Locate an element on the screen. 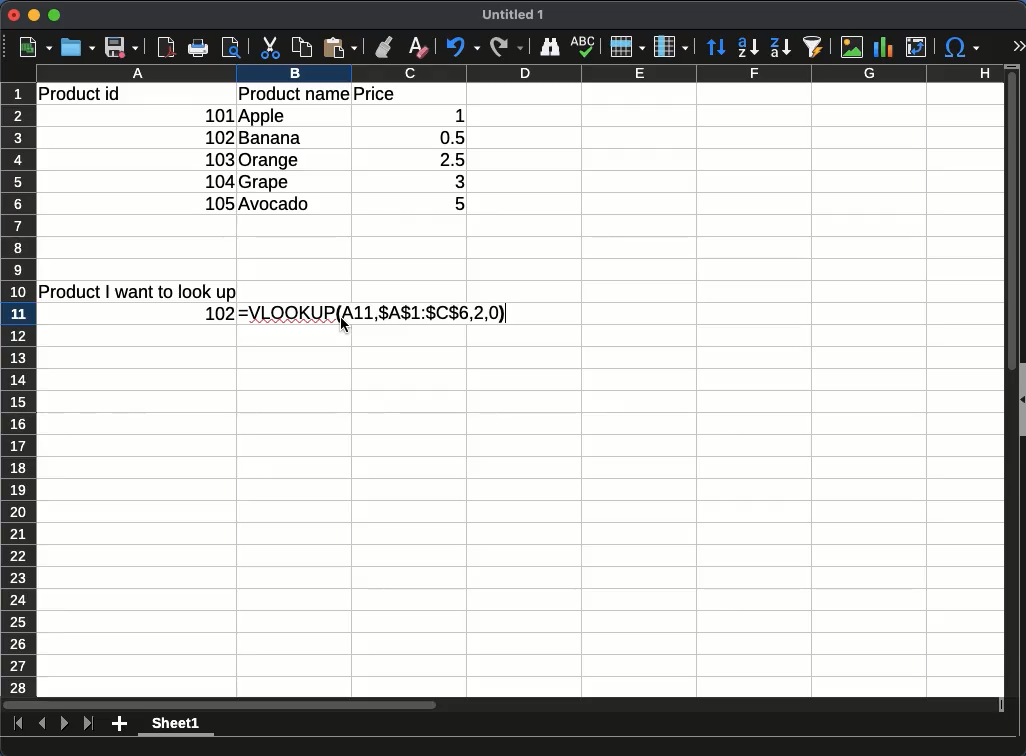 The width and height of the screenshot is (1026, 756). last sheet is located at coordinates (90, 724).